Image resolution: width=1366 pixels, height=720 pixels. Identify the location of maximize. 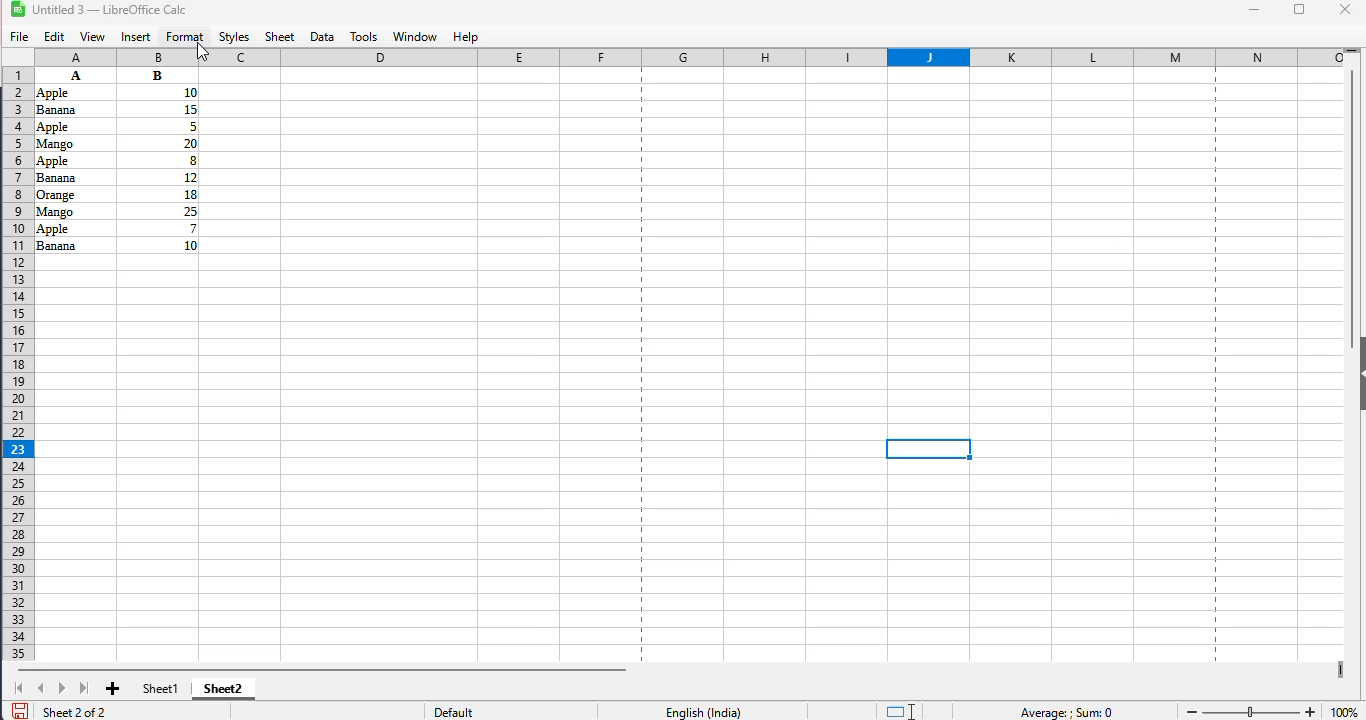
(1301, 9).